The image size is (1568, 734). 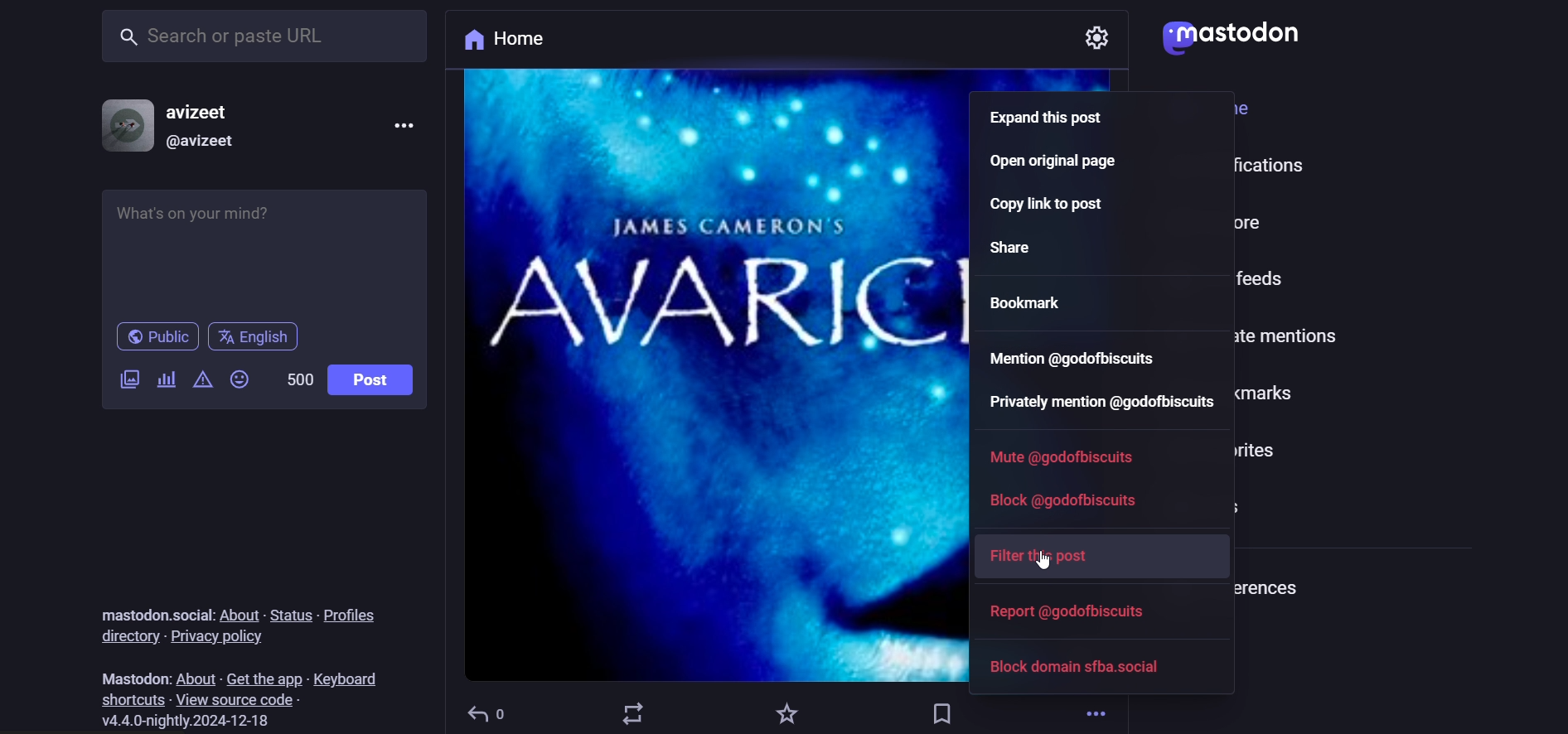 I want to click on home, so click(x=514, y=41).